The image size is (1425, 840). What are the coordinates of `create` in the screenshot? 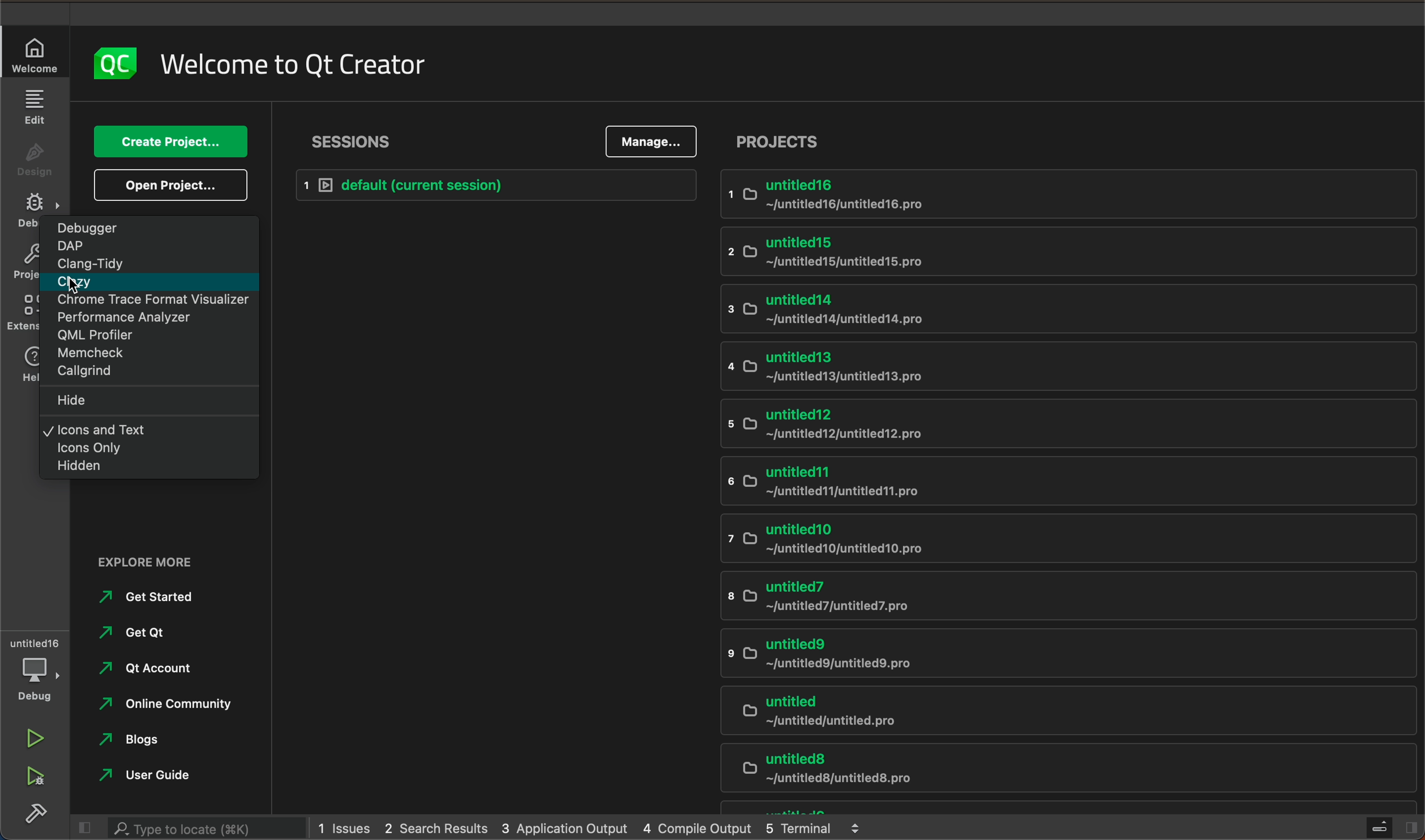 It's located at (172, 143).